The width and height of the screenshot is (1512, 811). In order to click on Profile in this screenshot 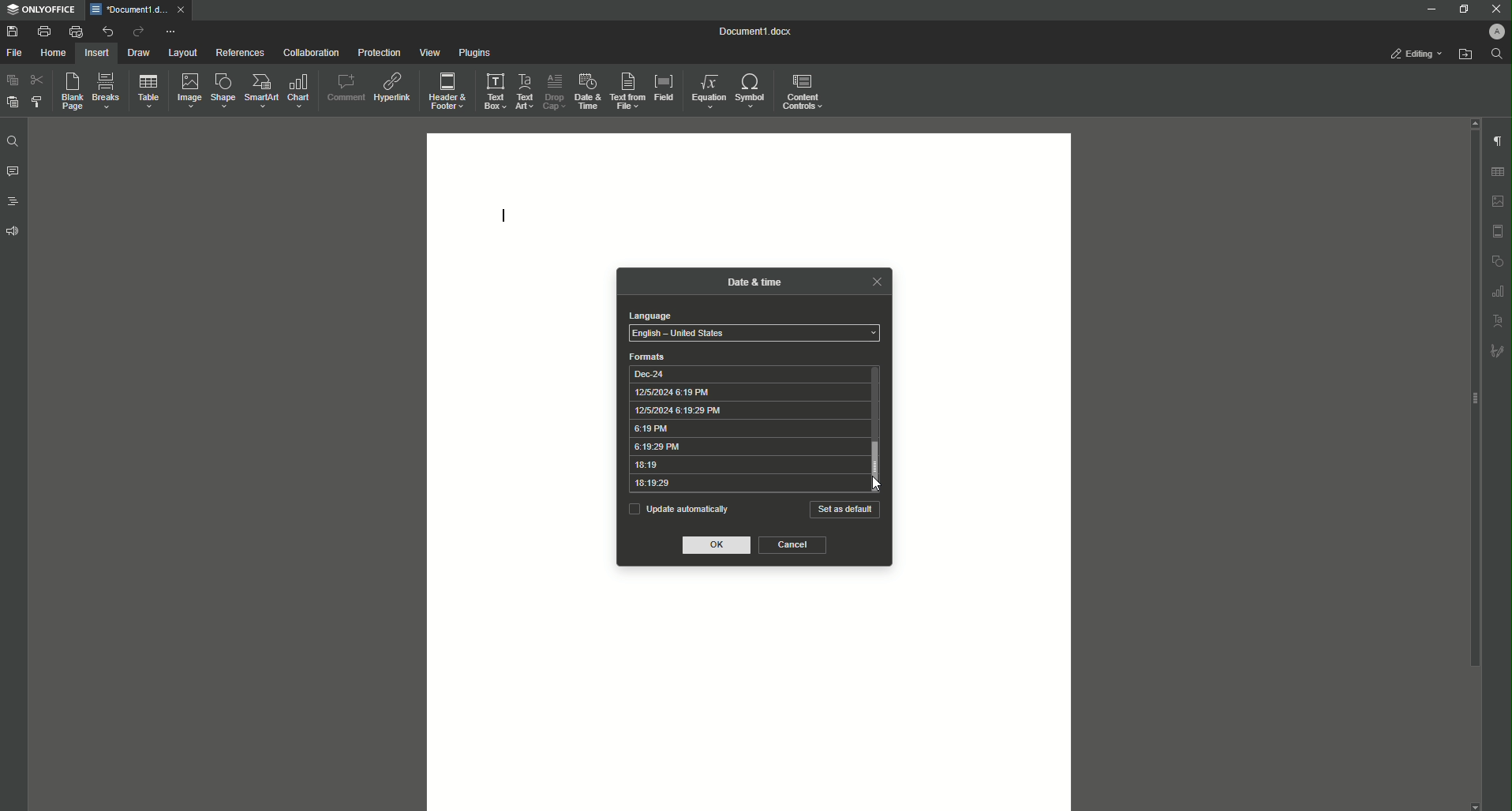, I will do `click(1495, 31)`.